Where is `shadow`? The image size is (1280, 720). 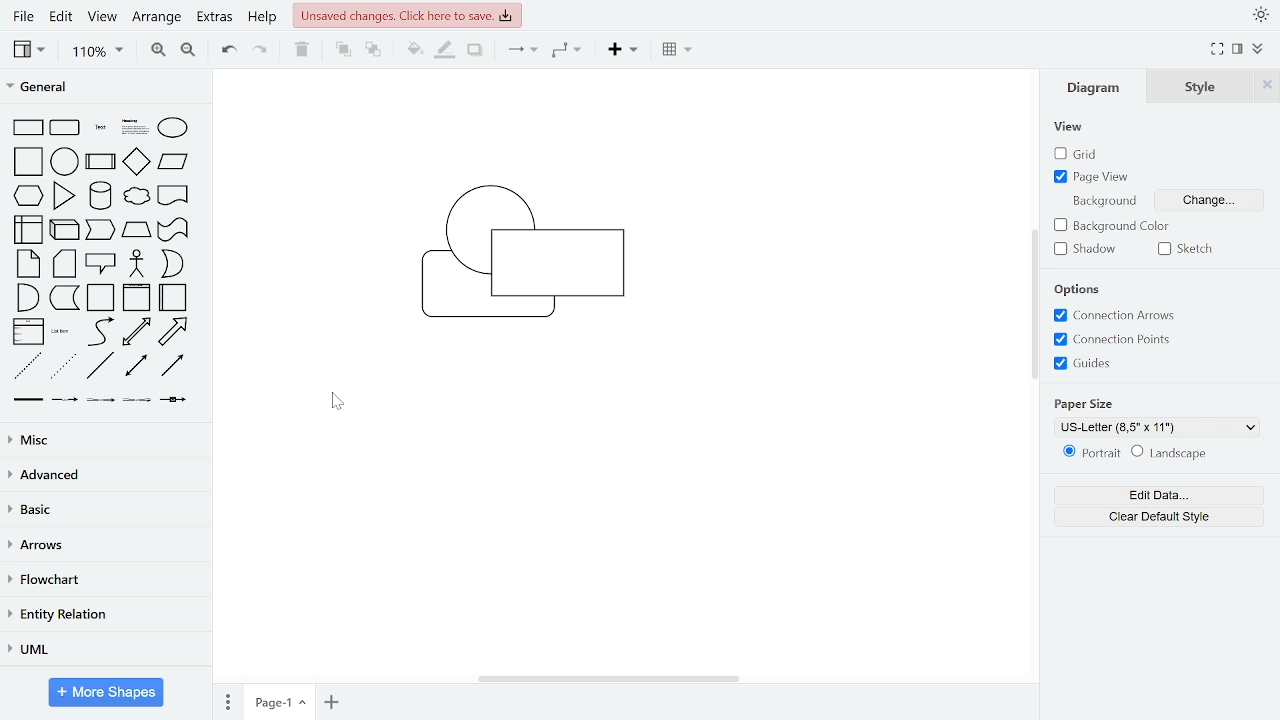 shadow is located at coordinates (1084, 249).